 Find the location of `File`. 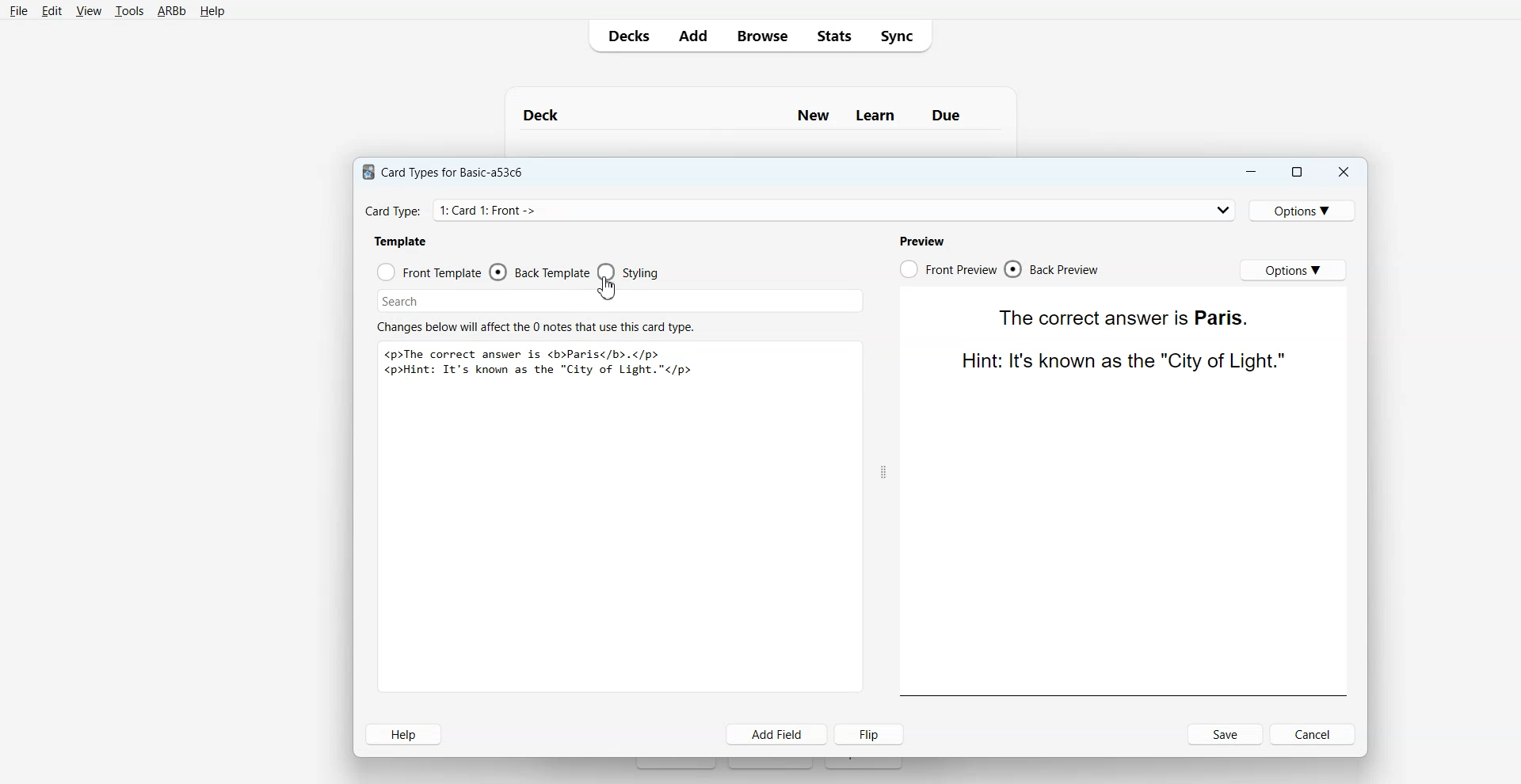

File is located at coordinates (18, 10).